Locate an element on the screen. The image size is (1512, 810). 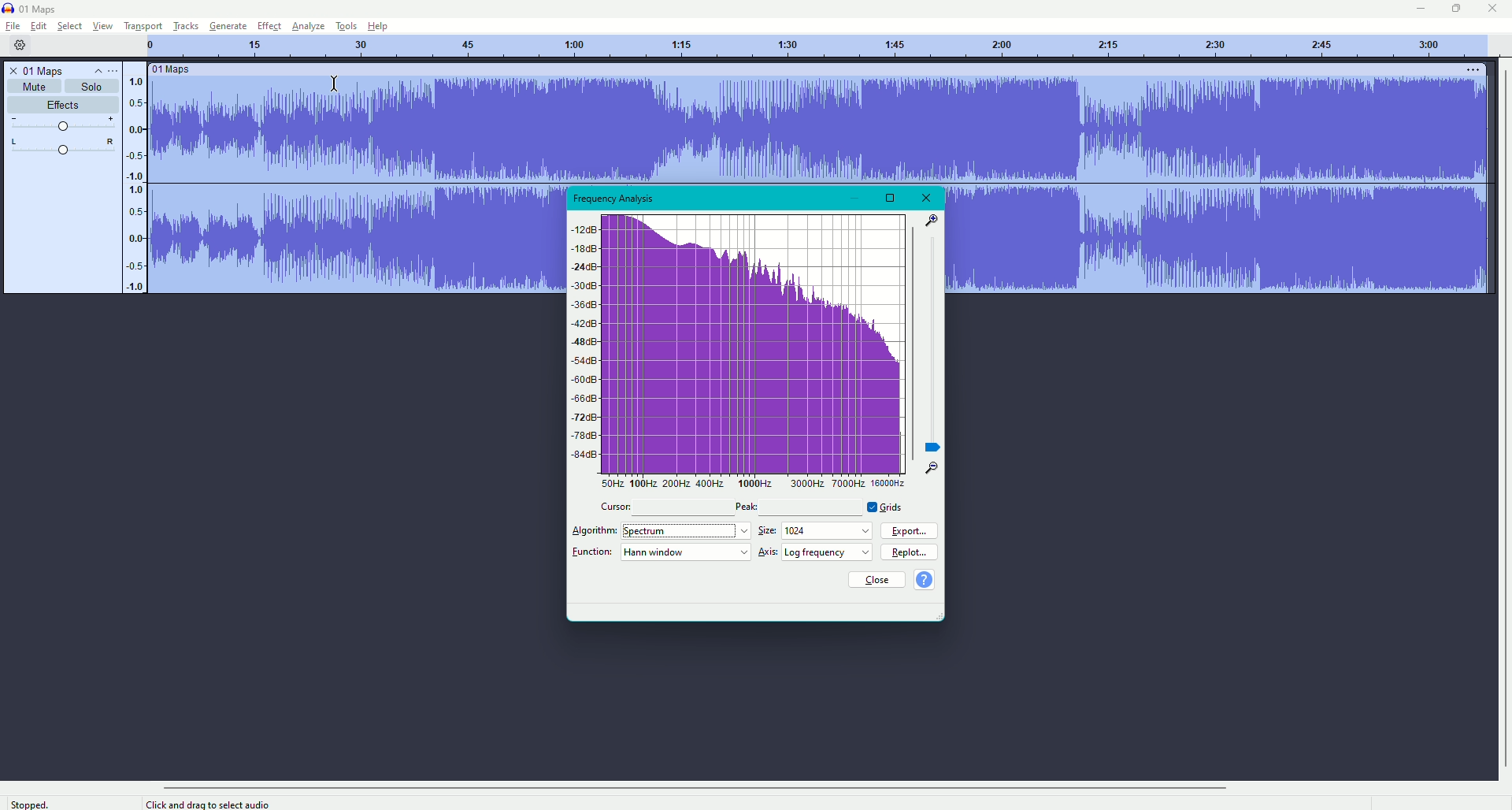
Minimize is located at coordinates (1418, 9).